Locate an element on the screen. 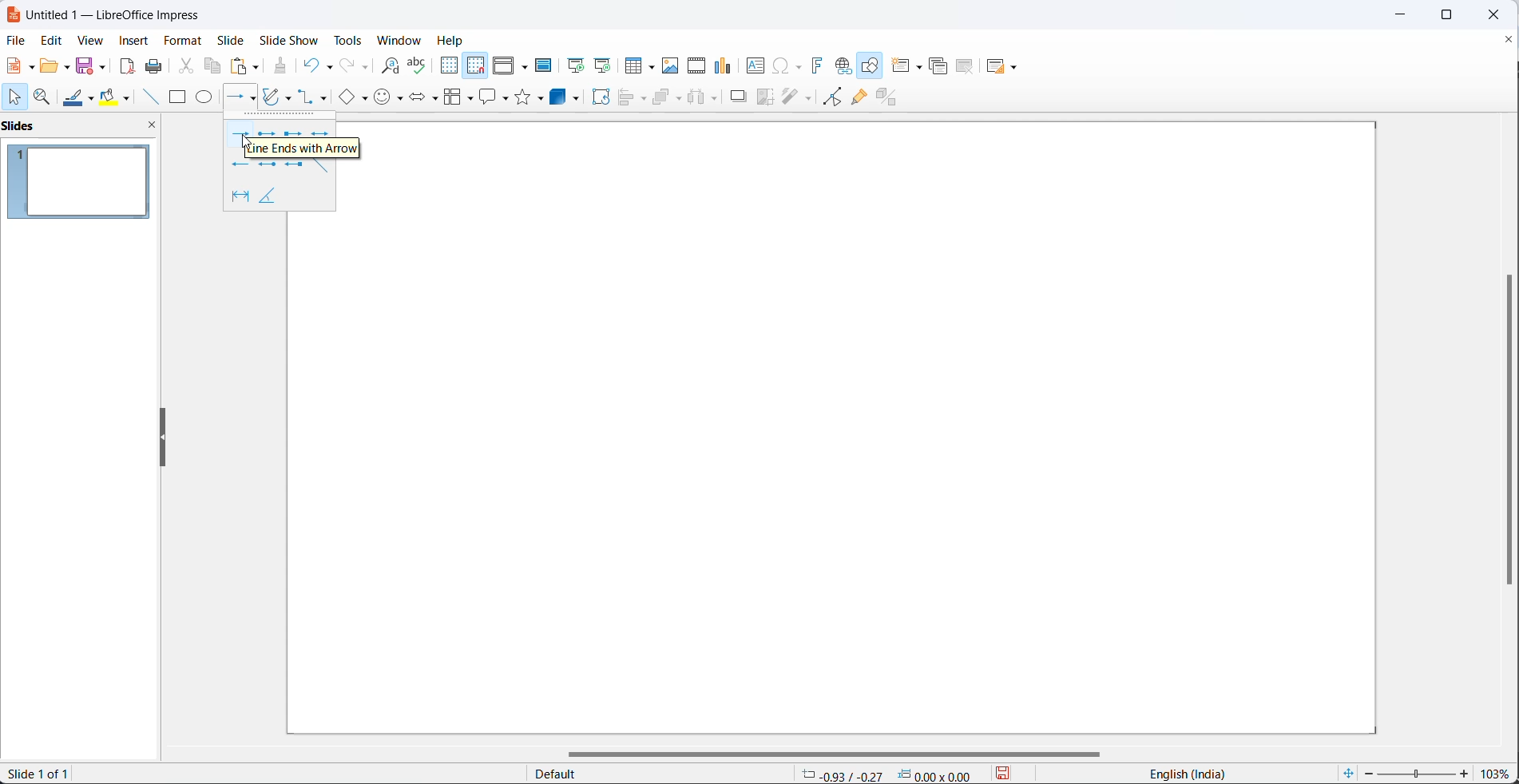 Image resolution: width=1519 pixels, height=784 pixels. duplicate slide is located at coordinates (936, 68).